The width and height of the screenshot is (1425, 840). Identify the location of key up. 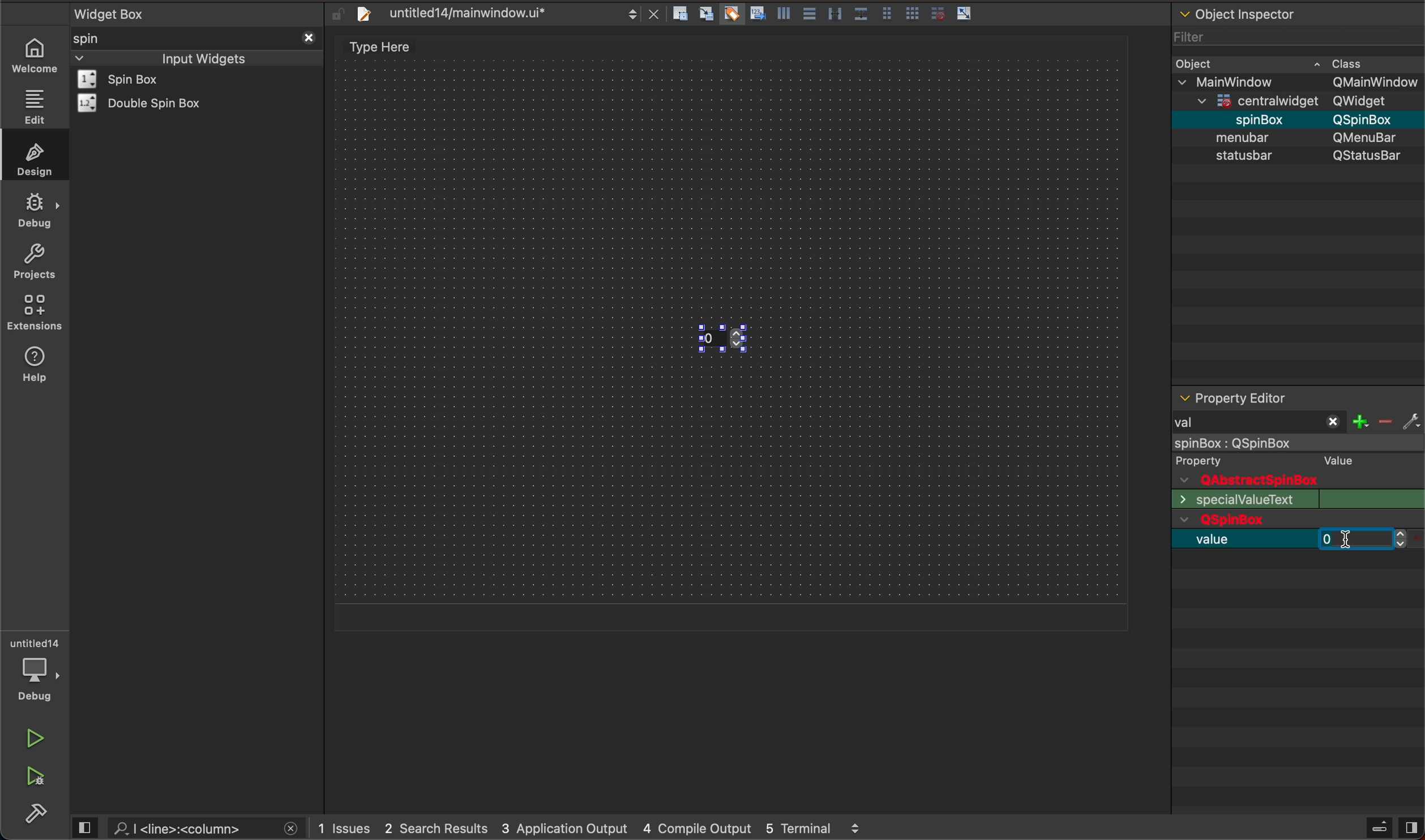
(742, 341).